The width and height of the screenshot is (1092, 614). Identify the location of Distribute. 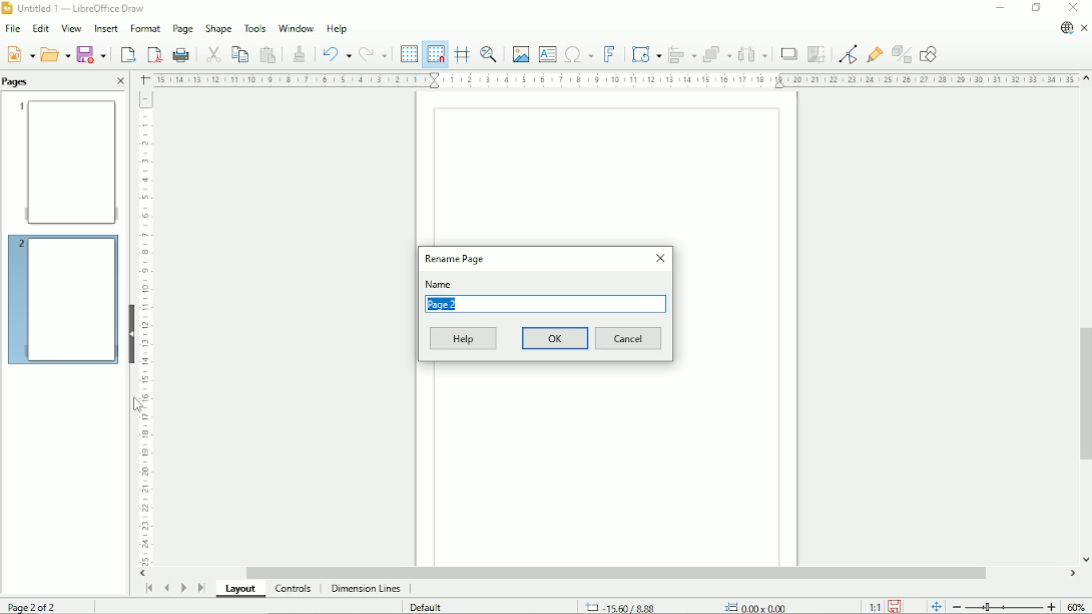
(753, 55).